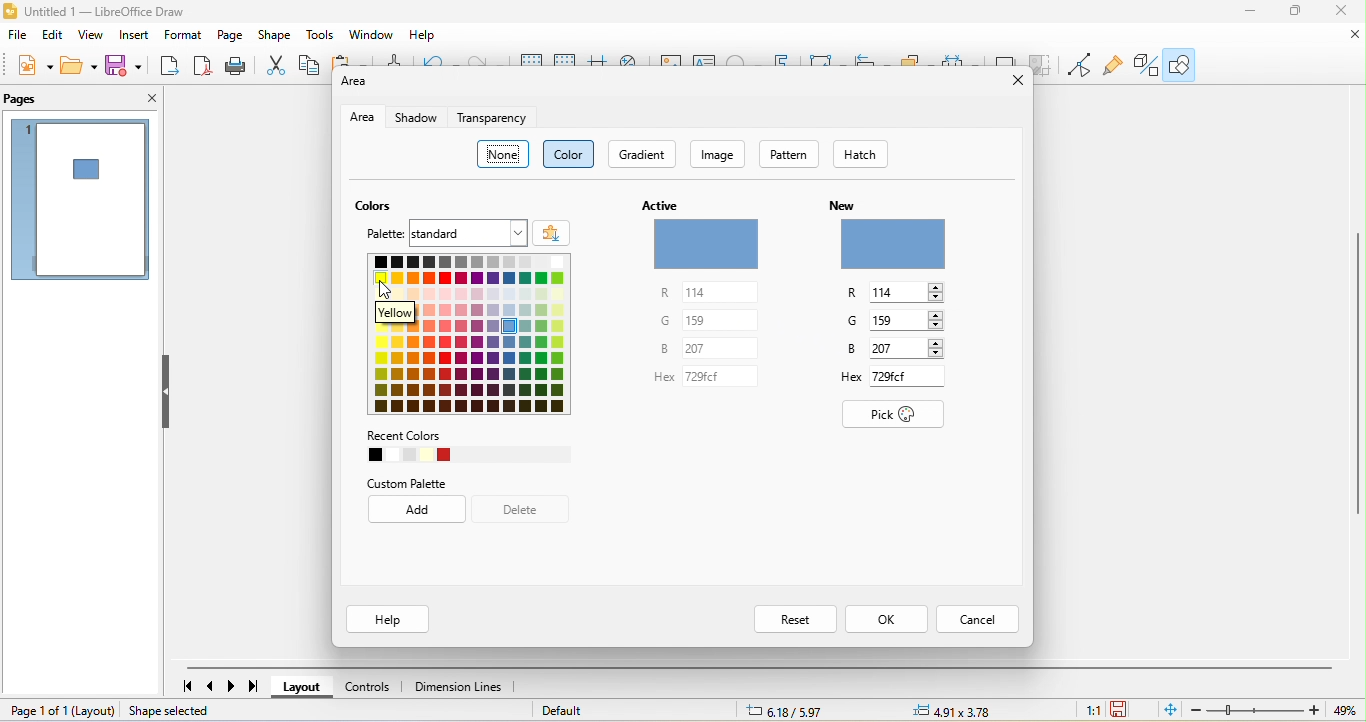 The width and height of the screenshot is (1366, 722). What do you see at coordinates (313, 67) in the screenshot?
I see `copy` at bounding box center [313, 67].